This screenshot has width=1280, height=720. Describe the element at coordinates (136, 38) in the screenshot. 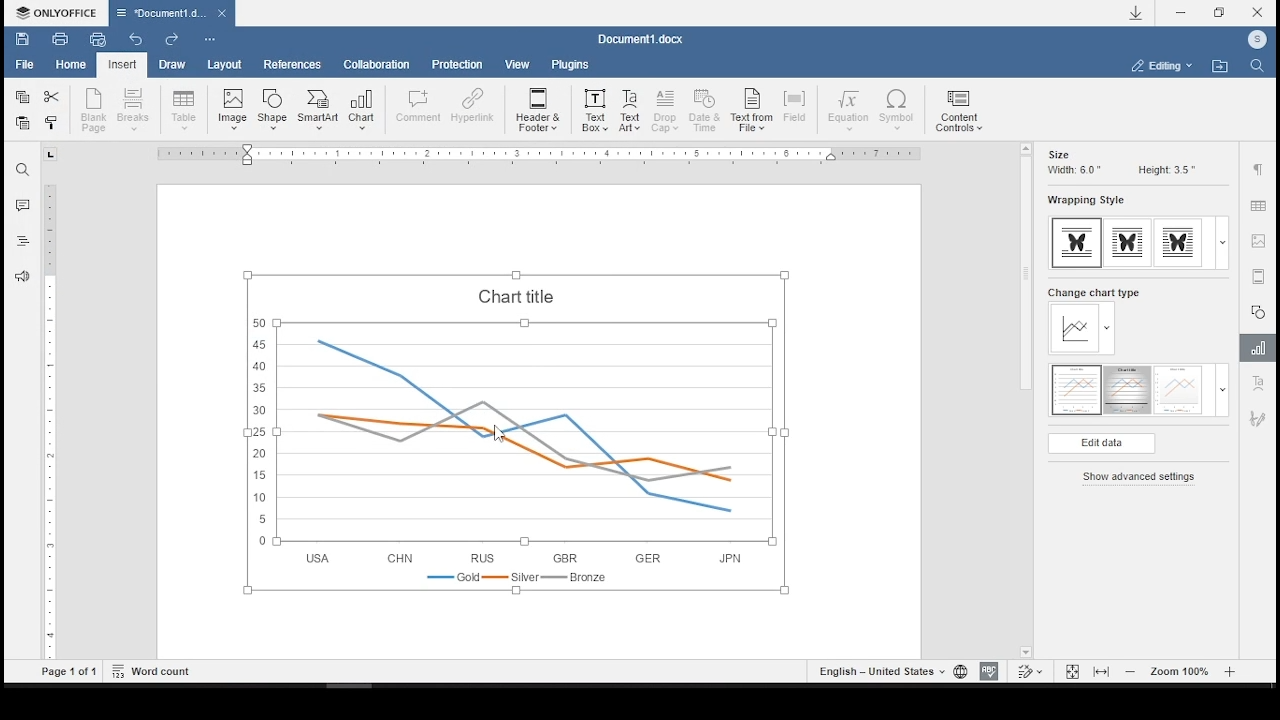

I see `undo` at that location.